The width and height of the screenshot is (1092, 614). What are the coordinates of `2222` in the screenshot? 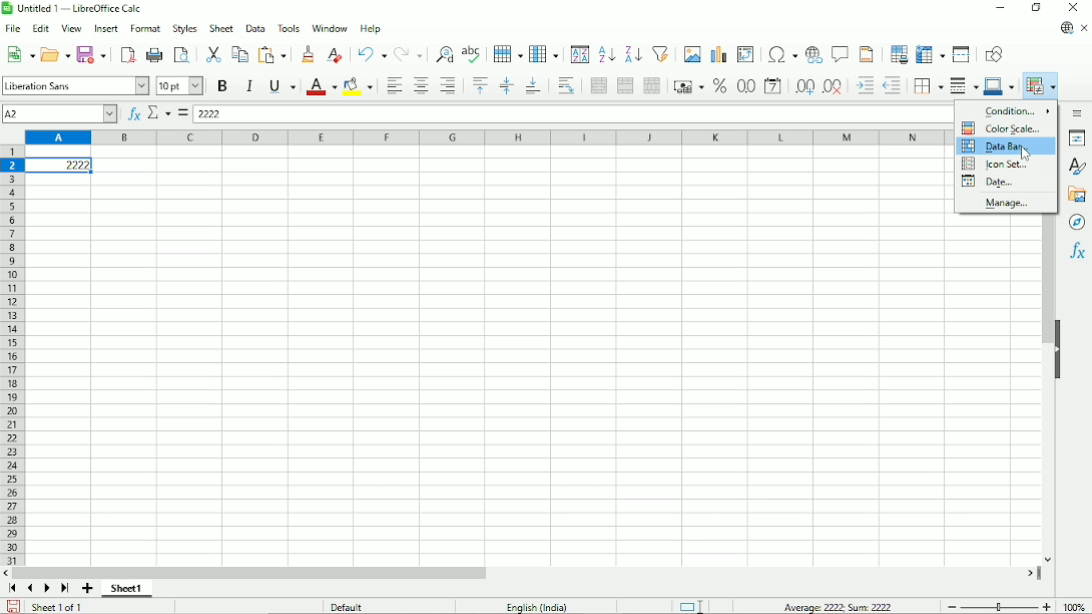 It's located at (60, 165).